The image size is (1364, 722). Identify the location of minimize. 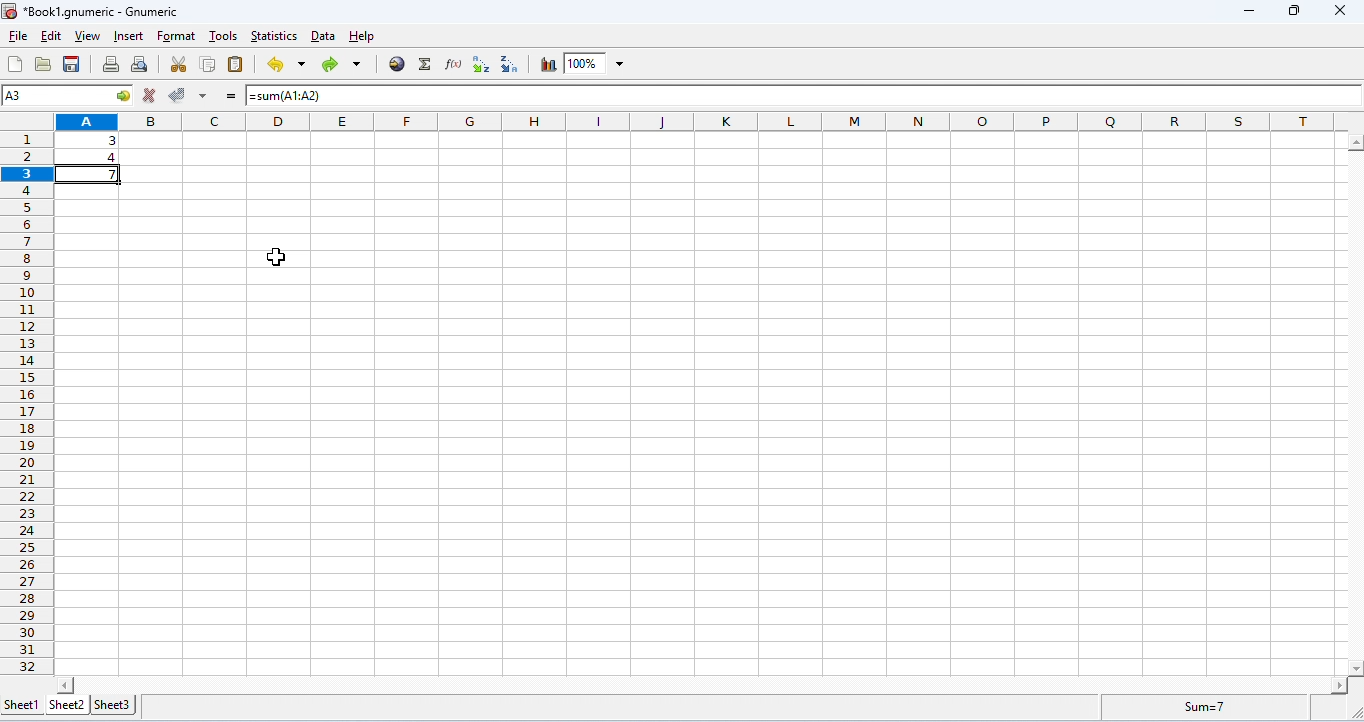
(1249, 13).